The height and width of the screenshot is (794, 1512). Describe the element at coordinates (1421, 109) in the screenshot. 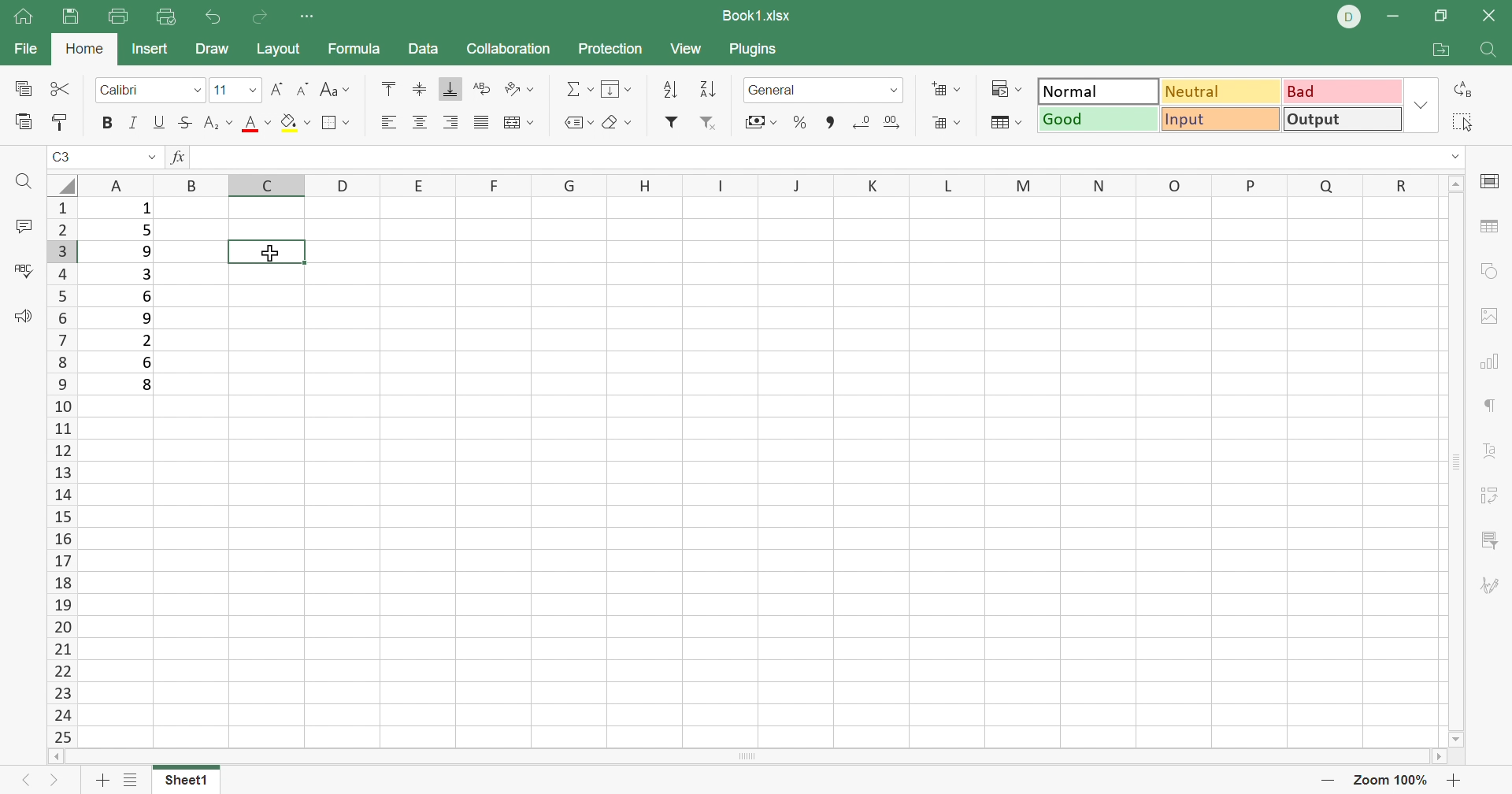

I see `Drop down` at that location.